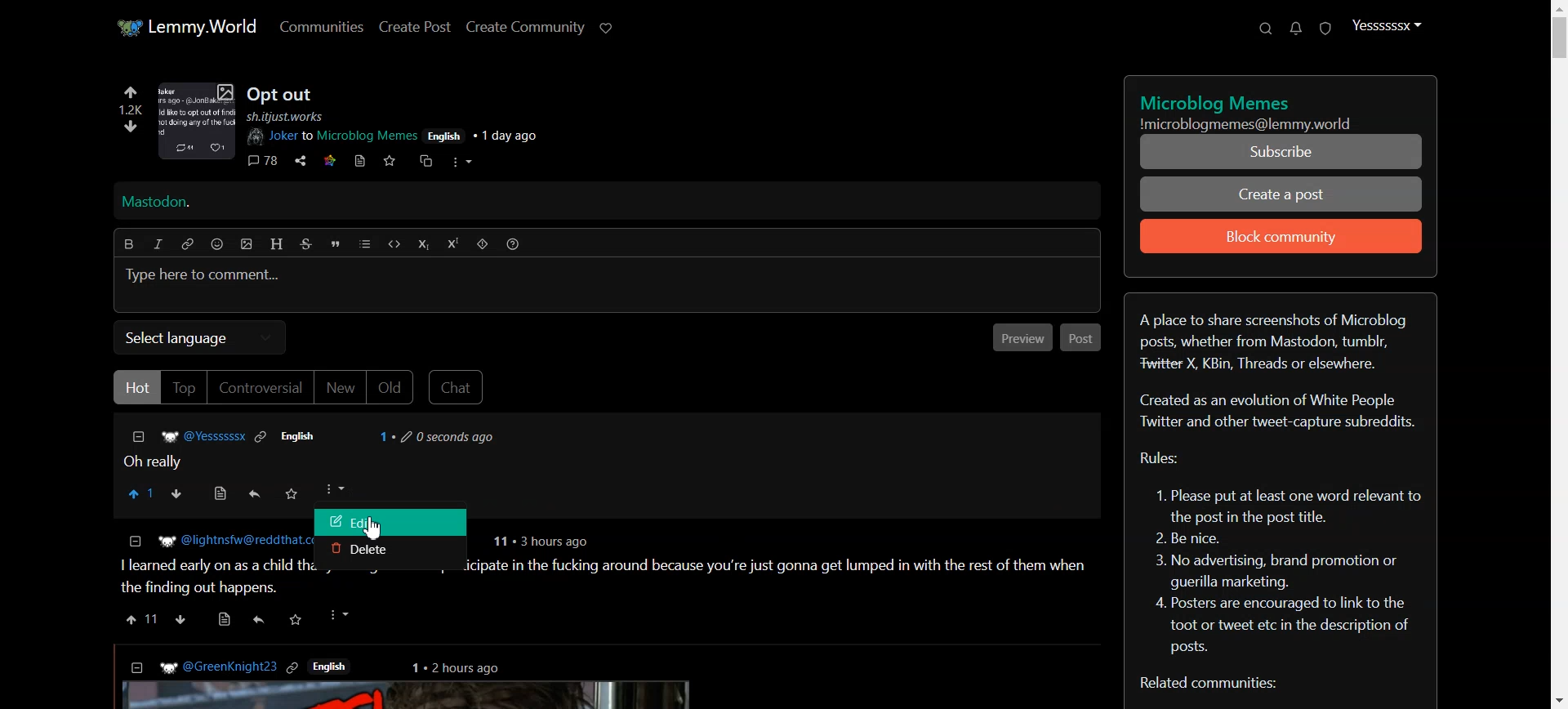  Describe the element at coordinates (261, 388) in the screenshot. I see `Controversial ` at that location.